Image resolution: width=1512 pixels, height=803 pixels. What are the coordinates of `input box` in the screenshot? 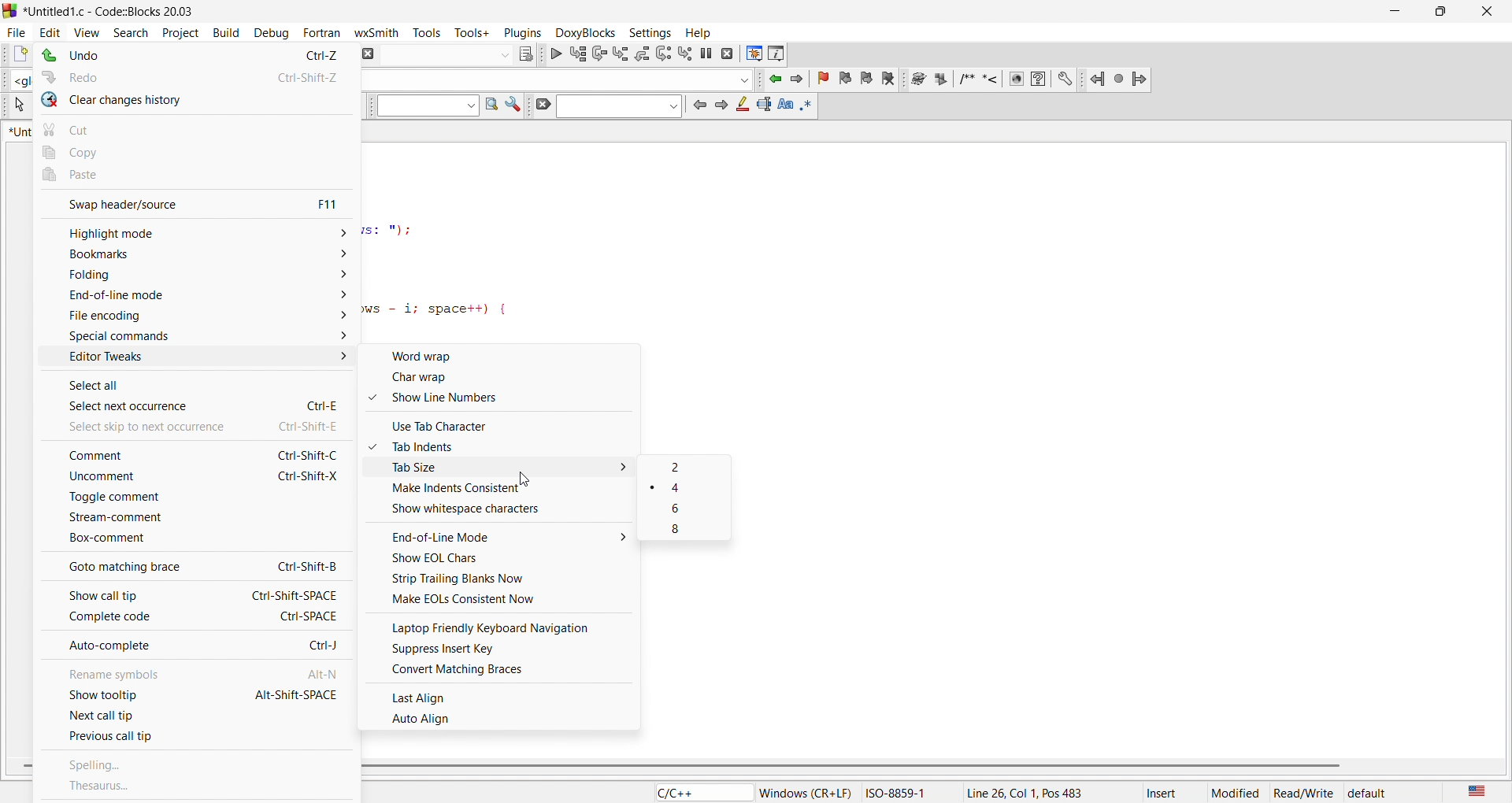 It's located at (448, 54).